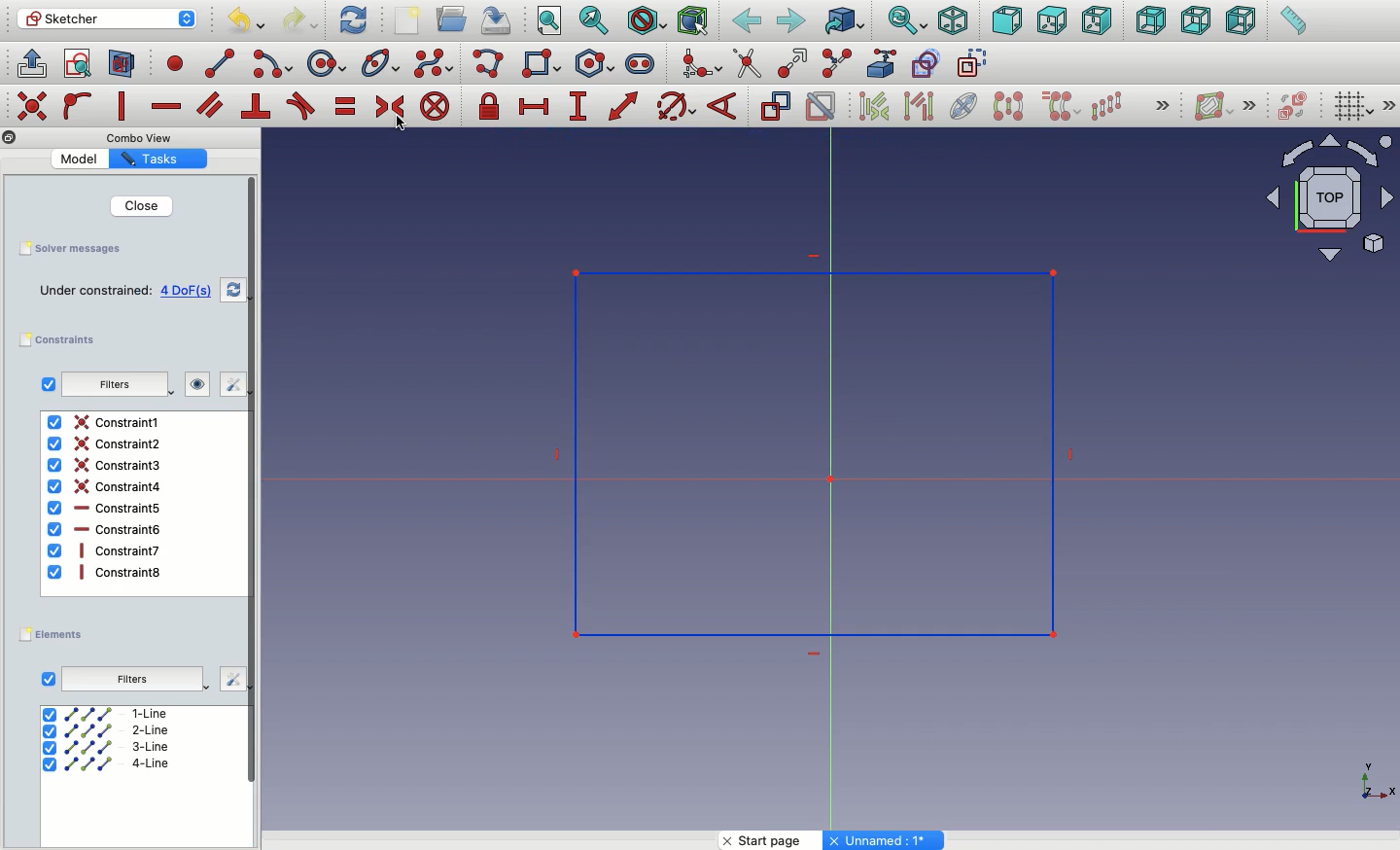 The width and height of the screenshot is (1400, 850). What do you see at coordinates (434, 62) in the screenshot?
I see `Create B-spline` at bounding box center [434, 62].